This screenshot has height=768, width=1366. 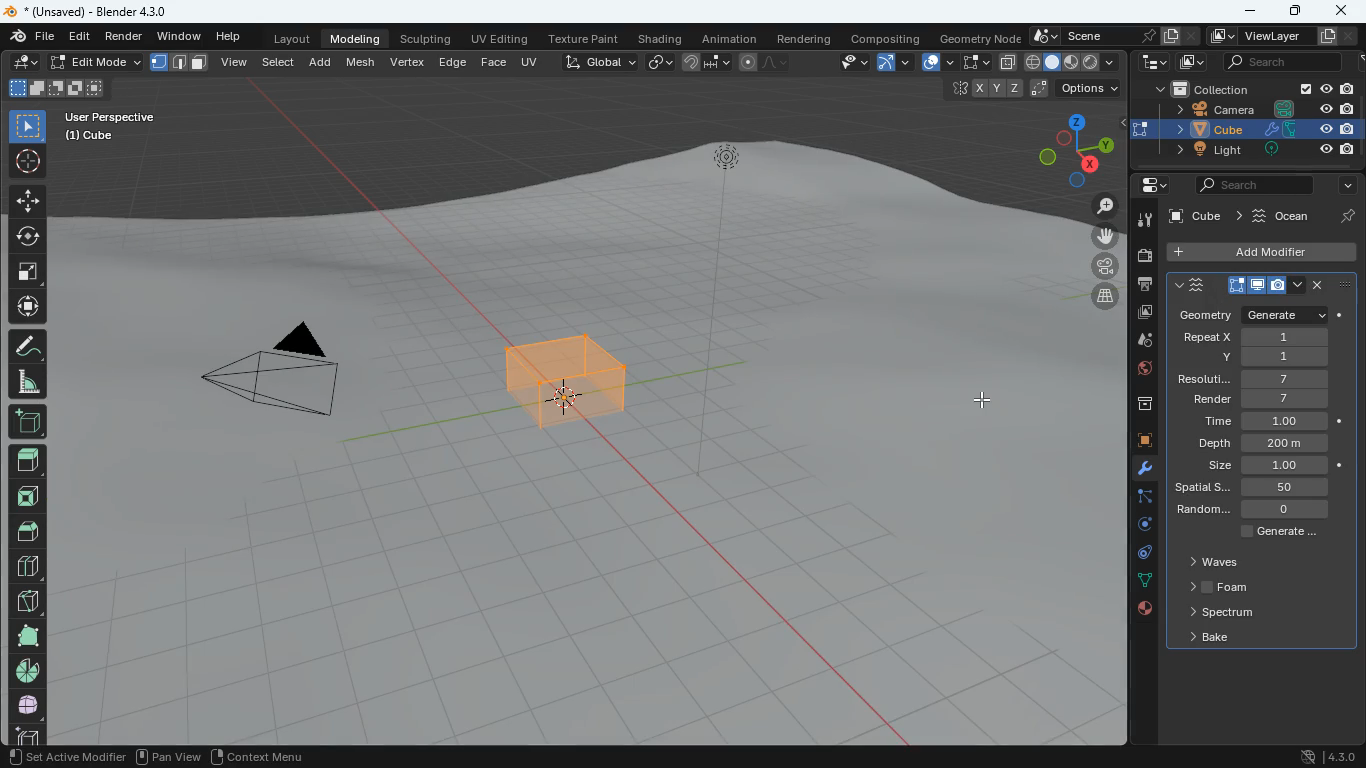 I want to click on light, so click(x=1258, y=151).